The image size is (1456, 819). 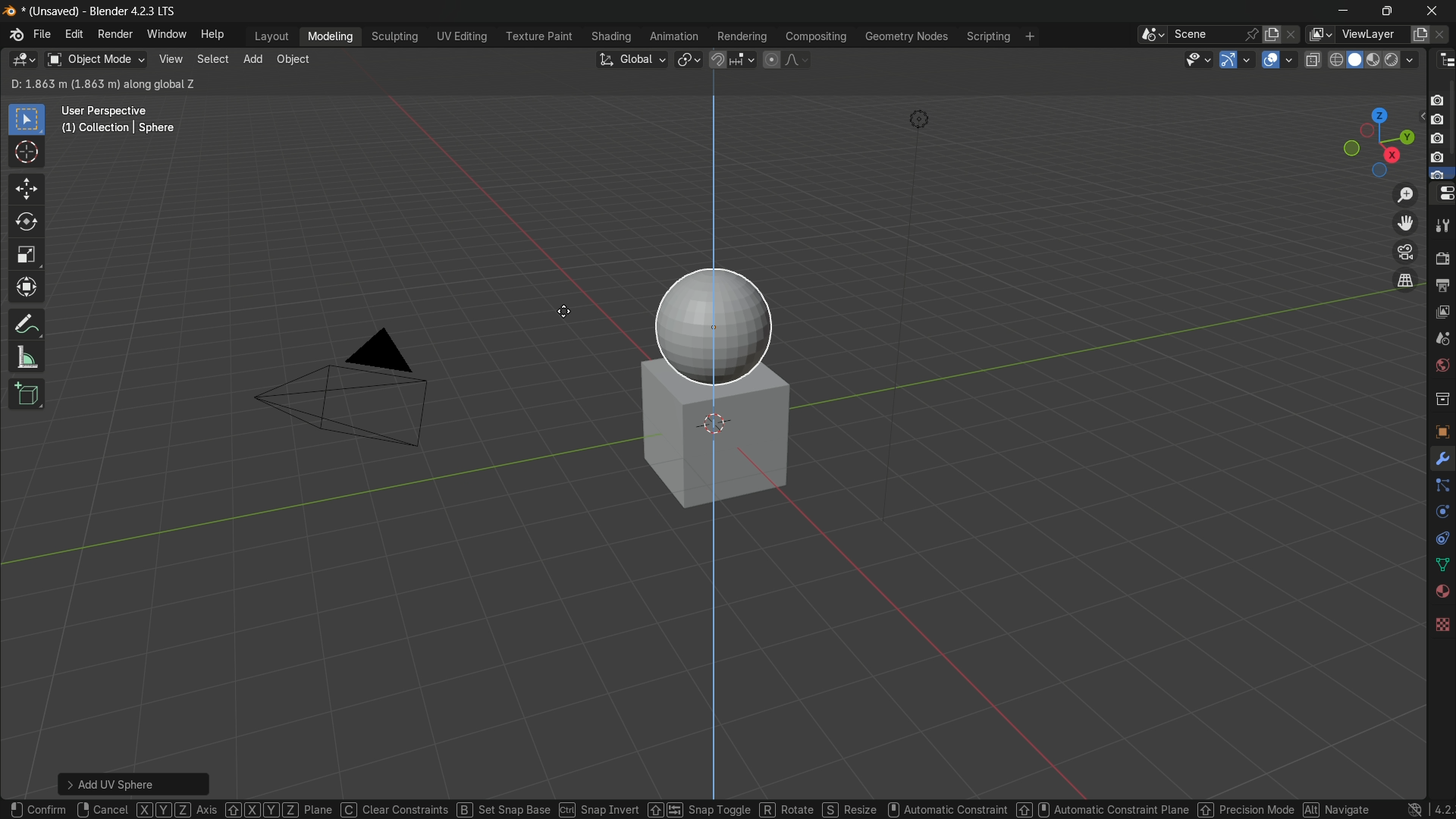 What do you see at coordinates (96, 83) in the screenshot?
I see `intersect existing selection` at bounding box center [96, 83].